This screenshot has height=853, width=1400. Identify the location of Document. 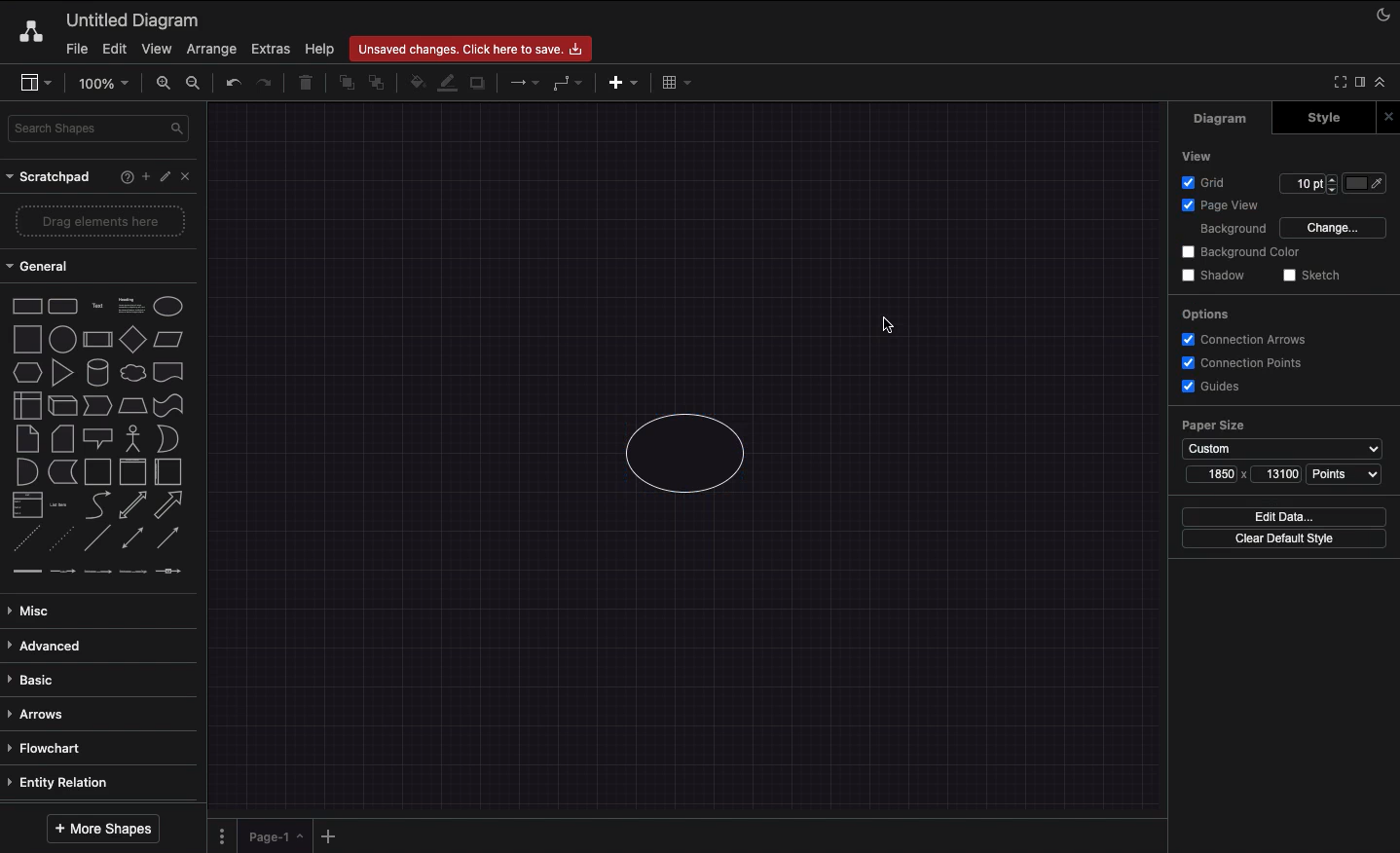
(169, 372).